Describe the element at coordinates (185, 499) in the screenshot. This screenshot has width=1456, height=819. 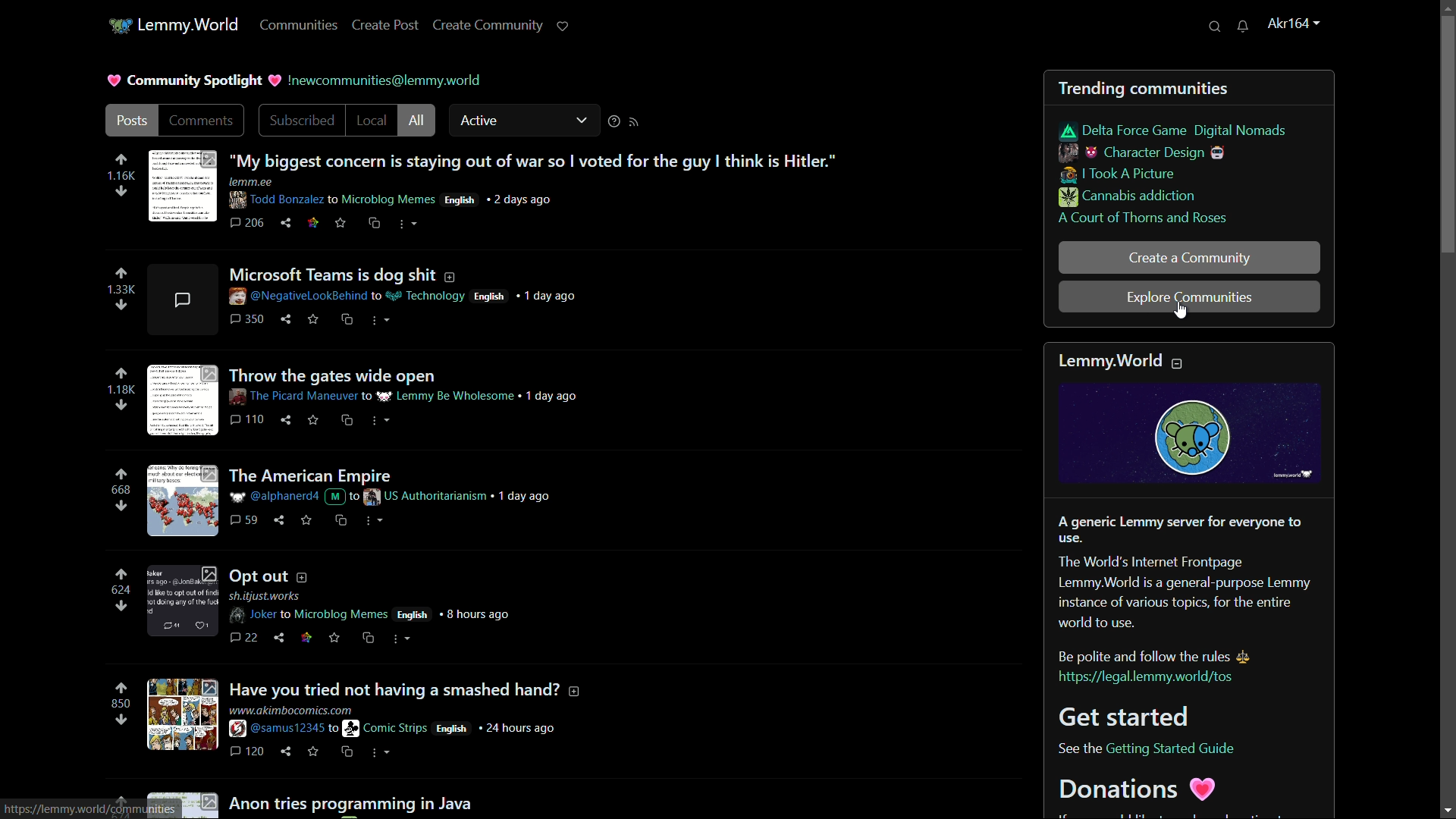
I see `image` at that location.